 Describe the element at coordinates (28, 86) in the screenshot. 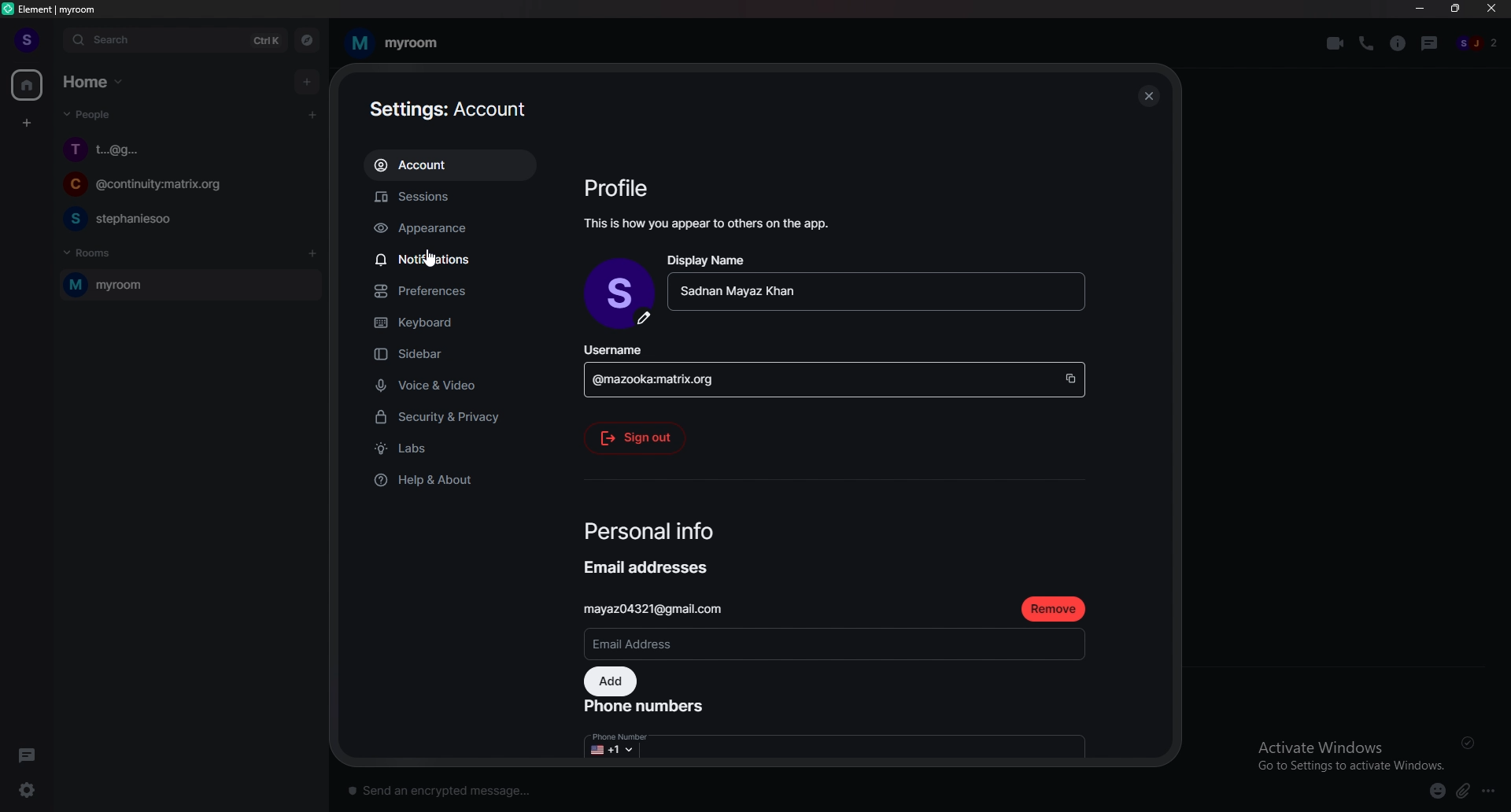

I see `home` at that location.